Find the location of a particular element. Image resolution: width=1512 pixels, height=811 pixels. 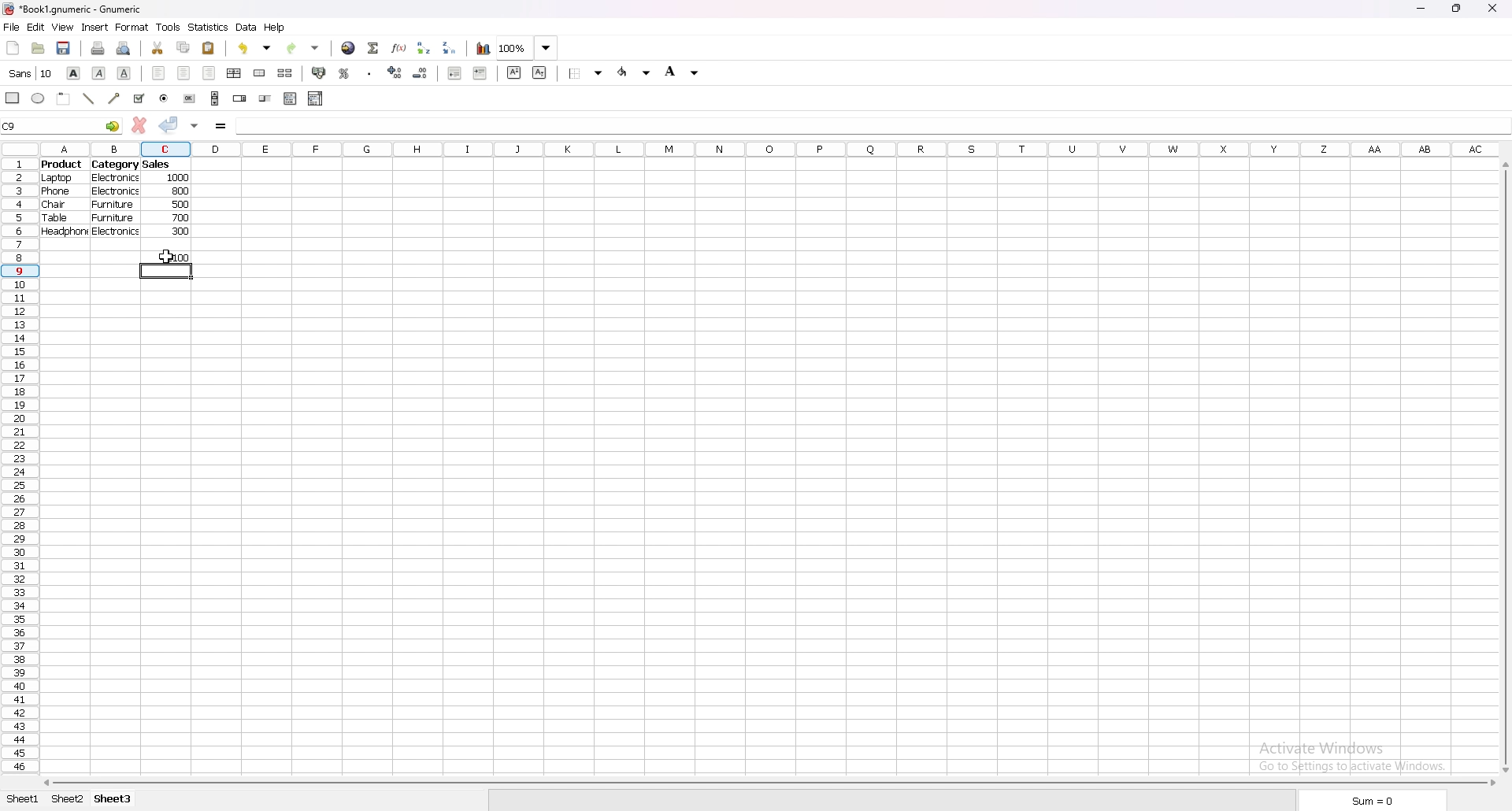

zoom is located at coordinates (528, 48).